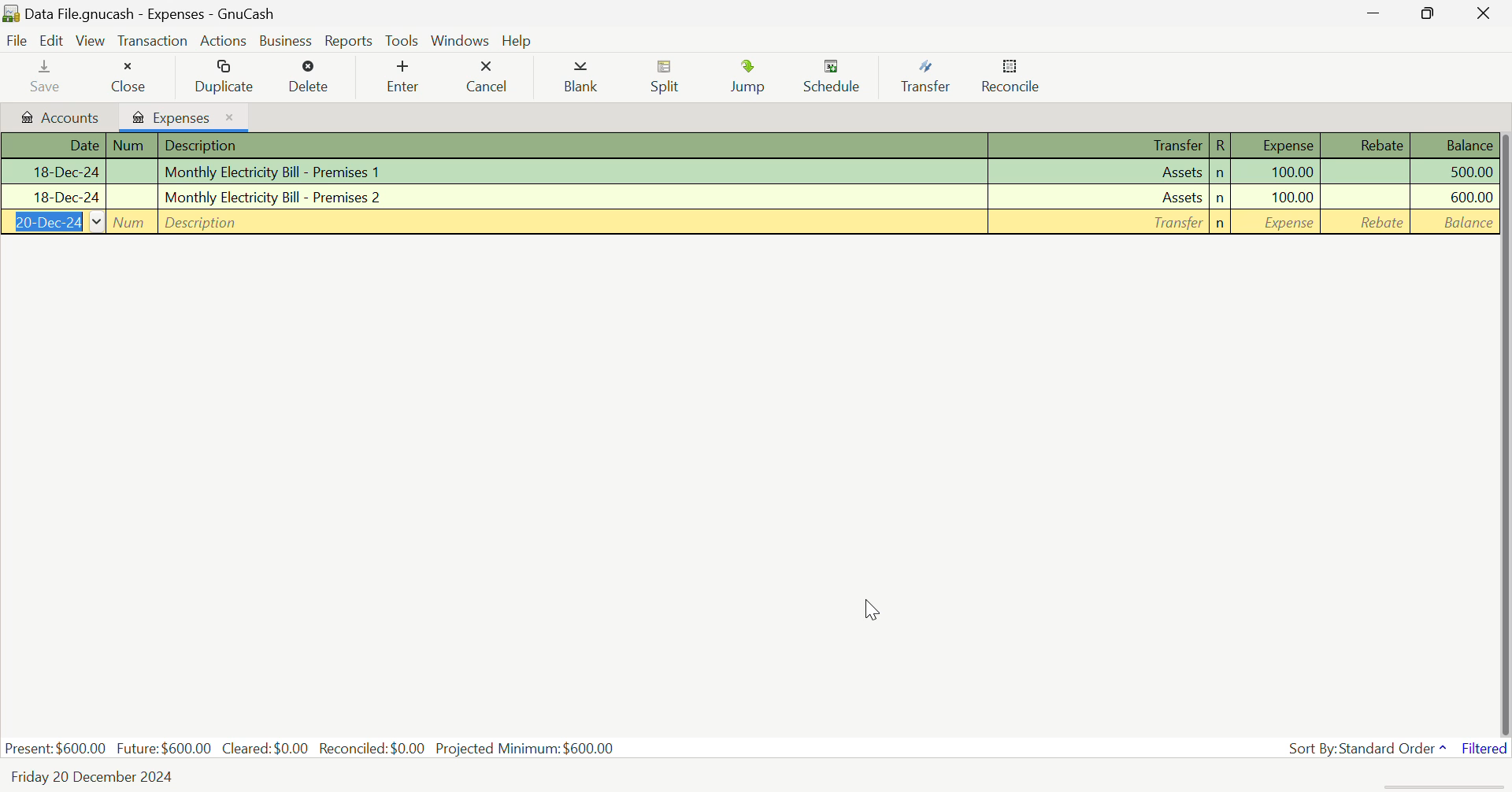 This screenshot has height=792, width=1512. What do you see at coordinates (372, 749) in the screenshot?
I see `Reconciled` at bounding box center [372, 749].